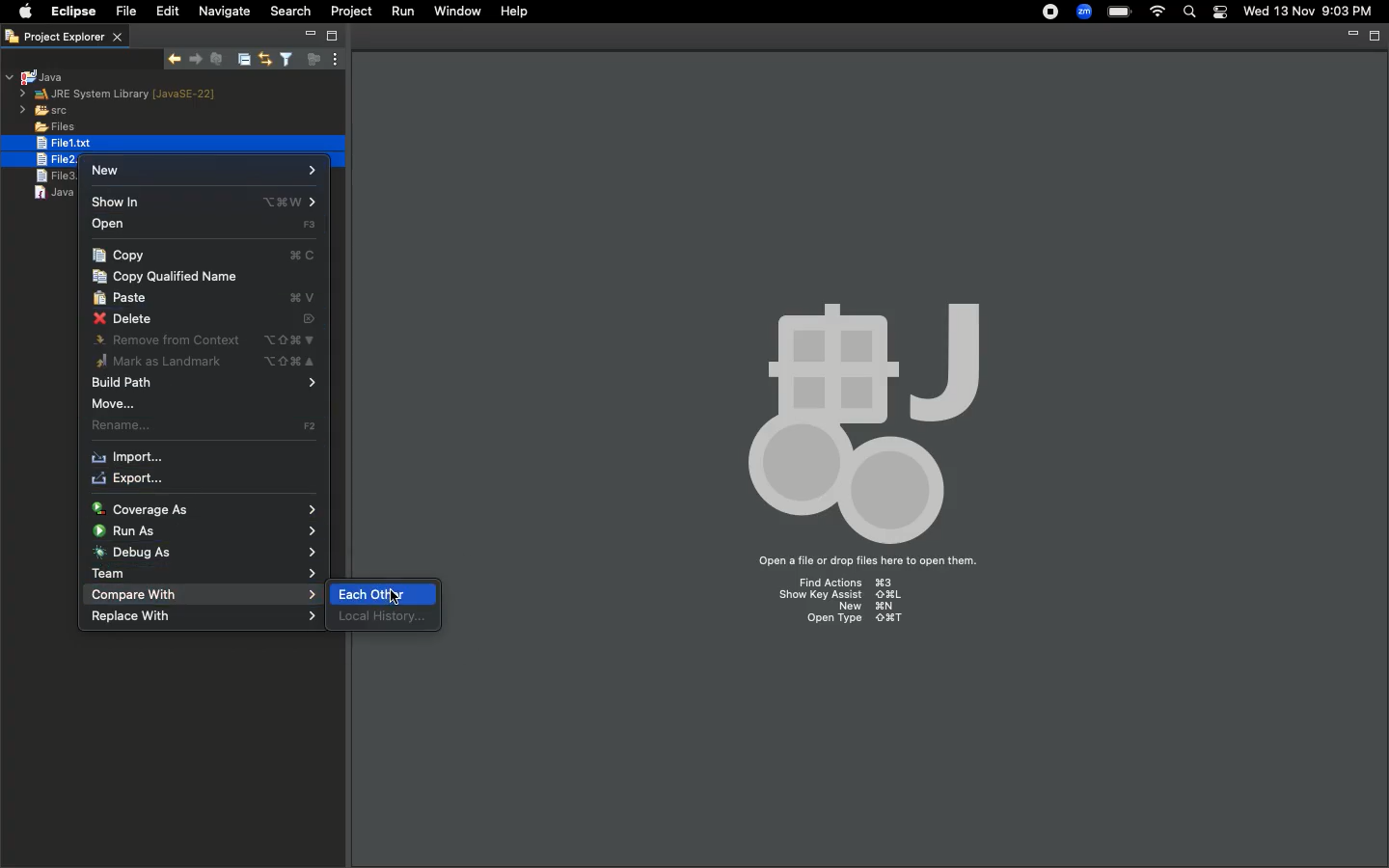  What do you see at coordinates (205, 530) in the screenshot?
I see `Run as` at bounding box center [205, 530].